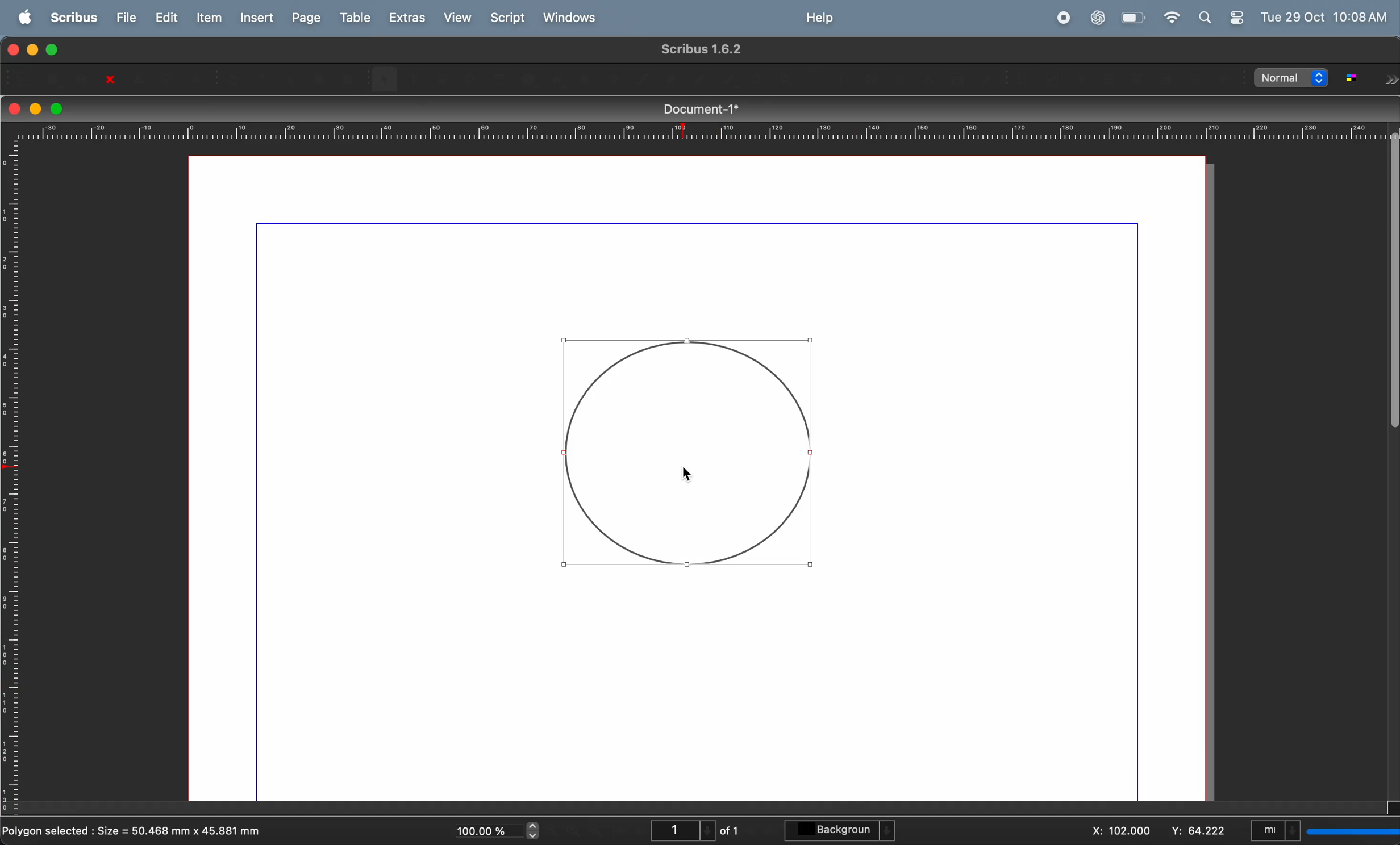  Describe the element at coordinates (1324, 827) in the screenshot. I see `select current unit` at that location.